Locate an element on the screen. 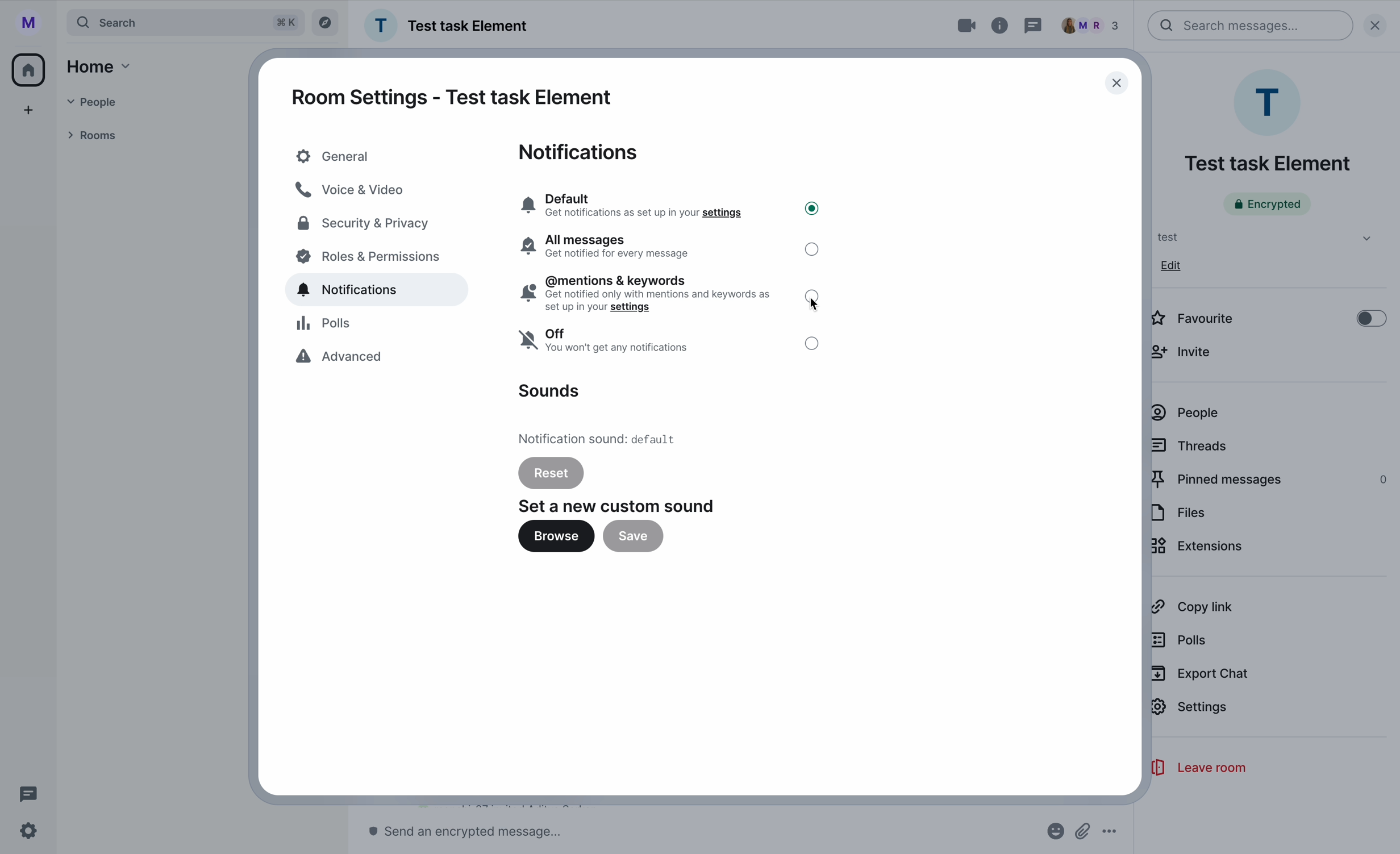 The width and height of the screenshot is (1400, 854). off is located at coordinates (669, 342).